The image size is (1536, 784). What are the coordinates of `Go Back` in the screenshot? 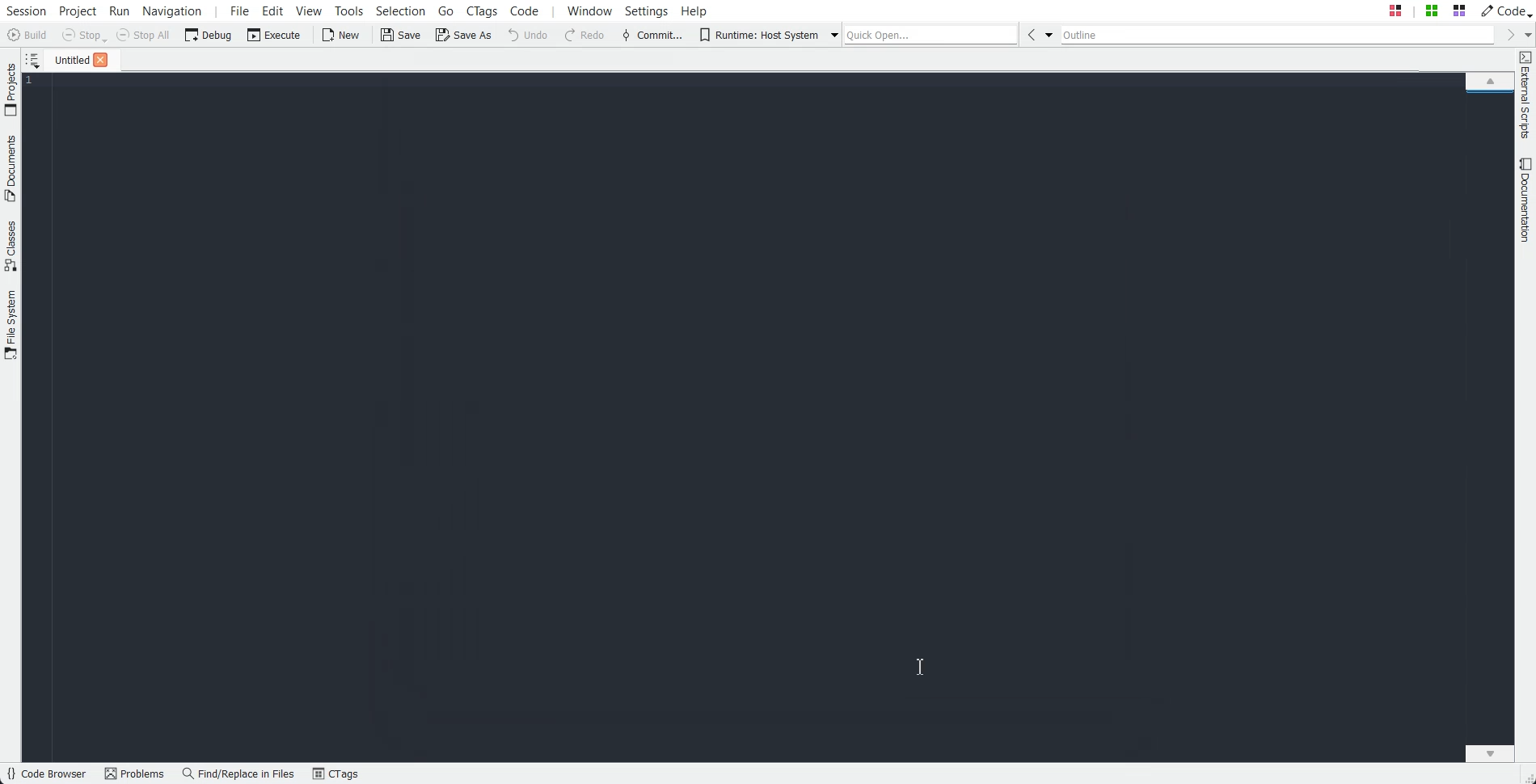 It's located at (1031, 34).